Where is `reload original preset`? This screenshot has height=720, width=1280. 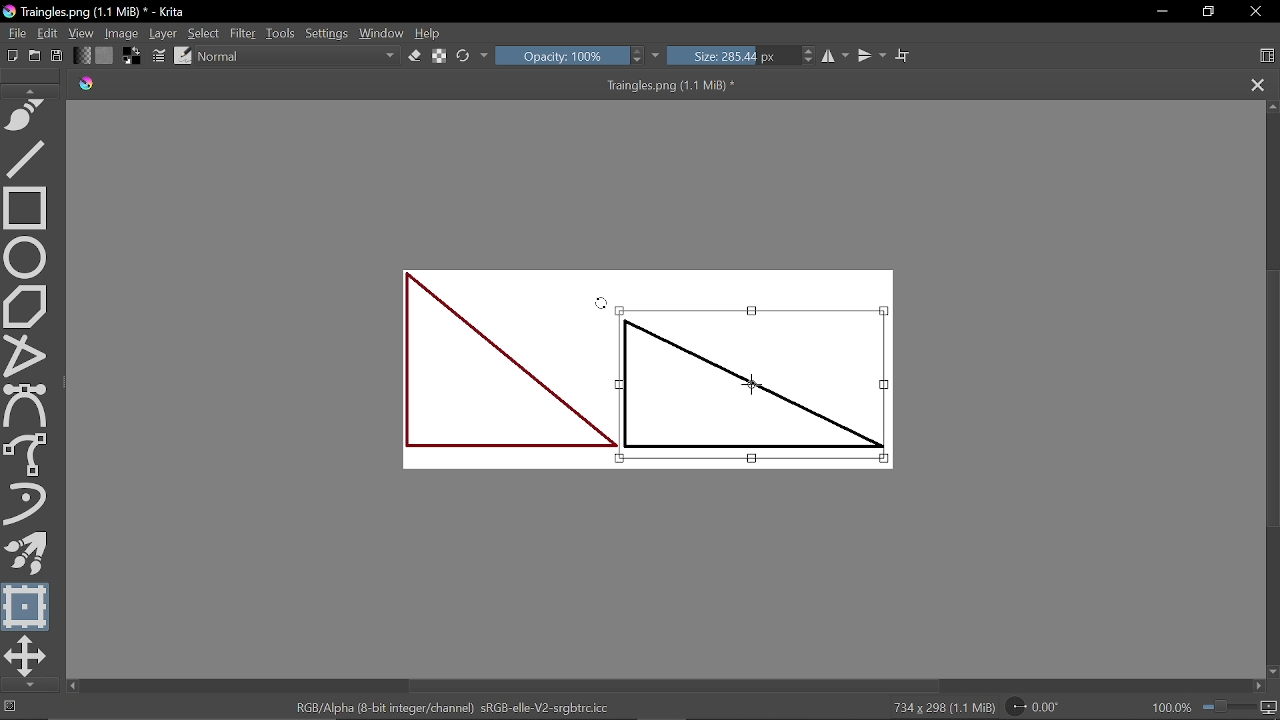 reload original preset is located at coordinates (464, 57).